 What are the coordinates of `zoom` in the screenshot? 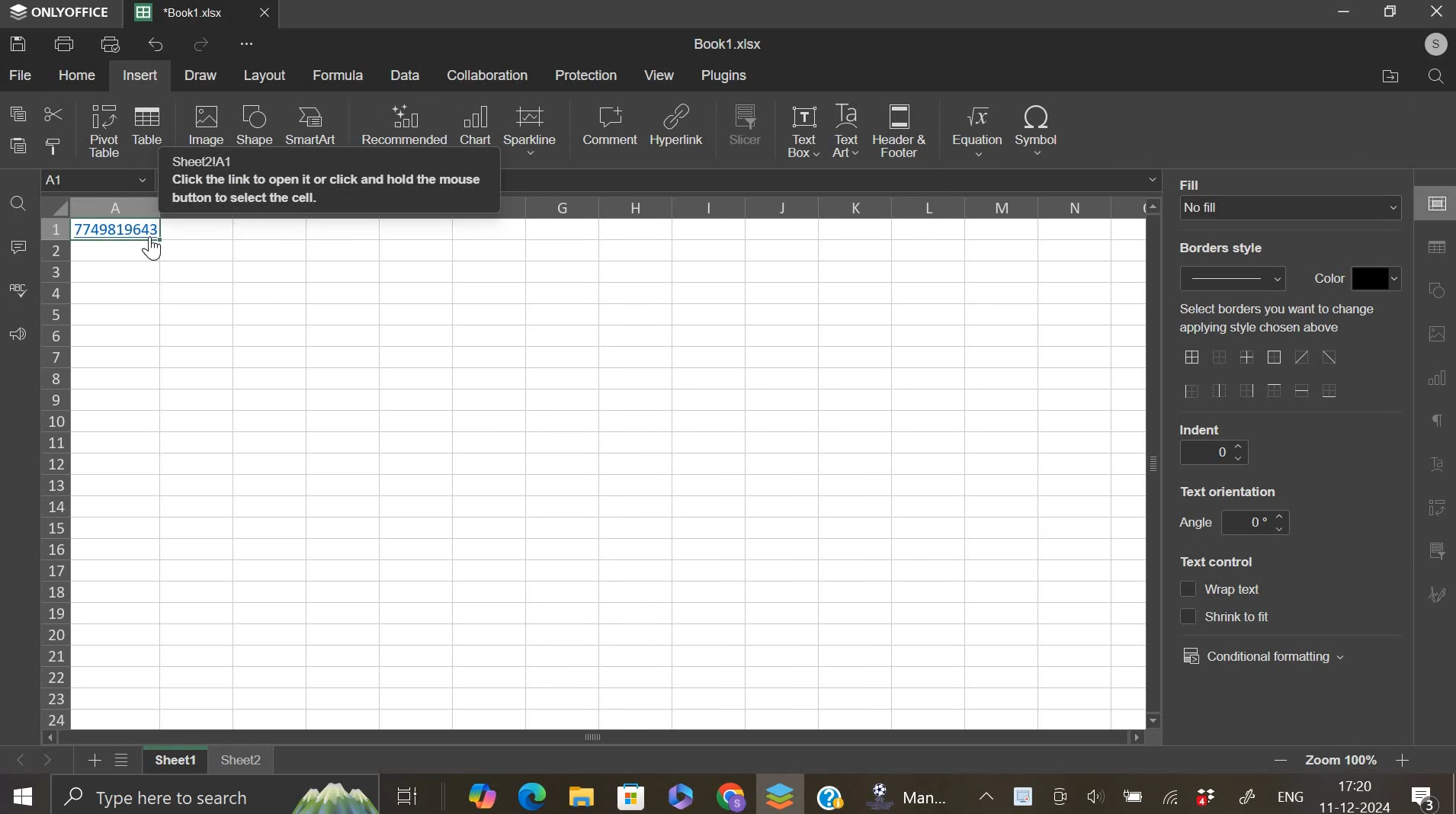 It's located at (1362, 761).